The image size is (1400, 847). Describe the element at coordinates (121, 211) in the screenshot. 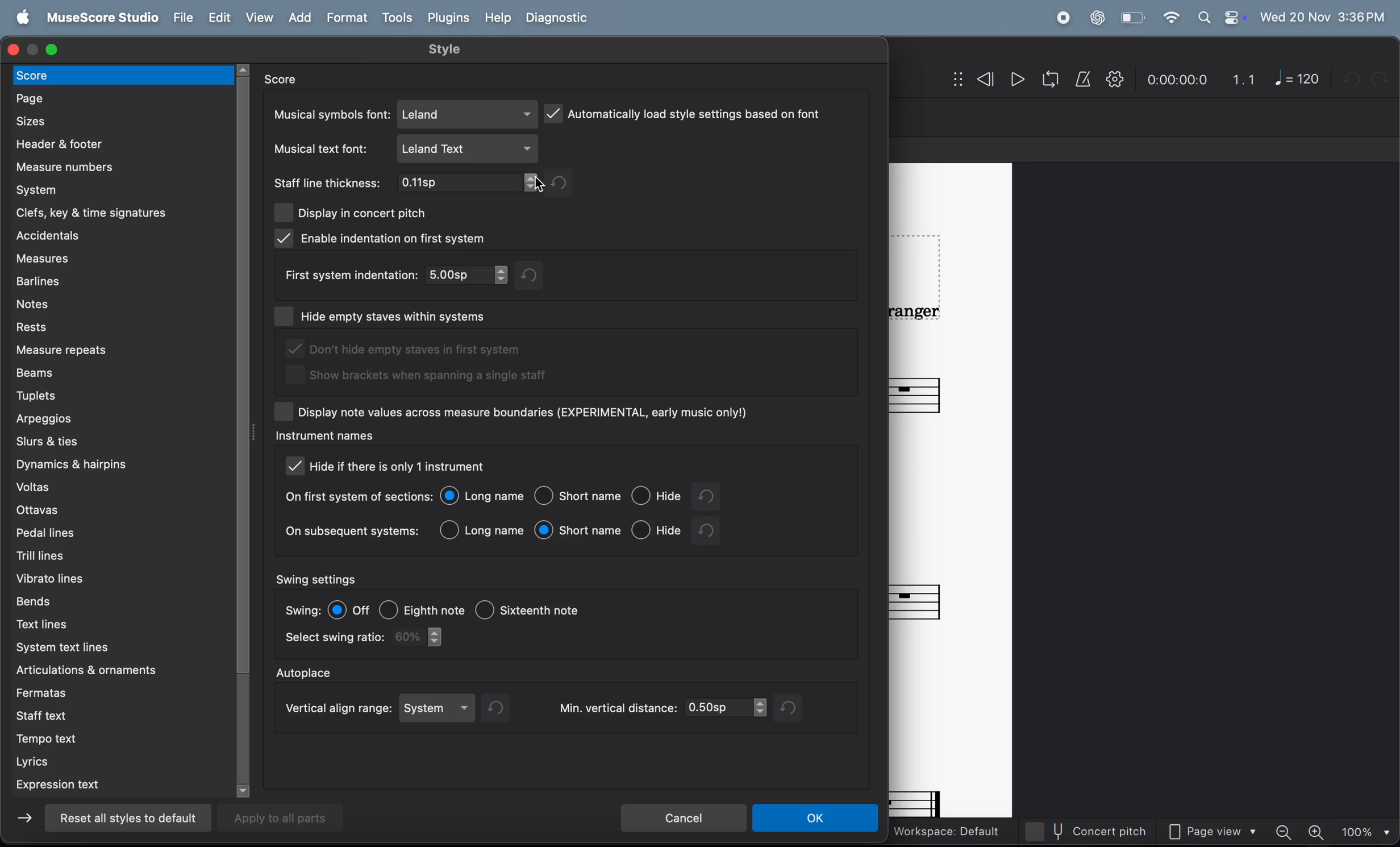

I see `clefs key and time signatures` at that location.